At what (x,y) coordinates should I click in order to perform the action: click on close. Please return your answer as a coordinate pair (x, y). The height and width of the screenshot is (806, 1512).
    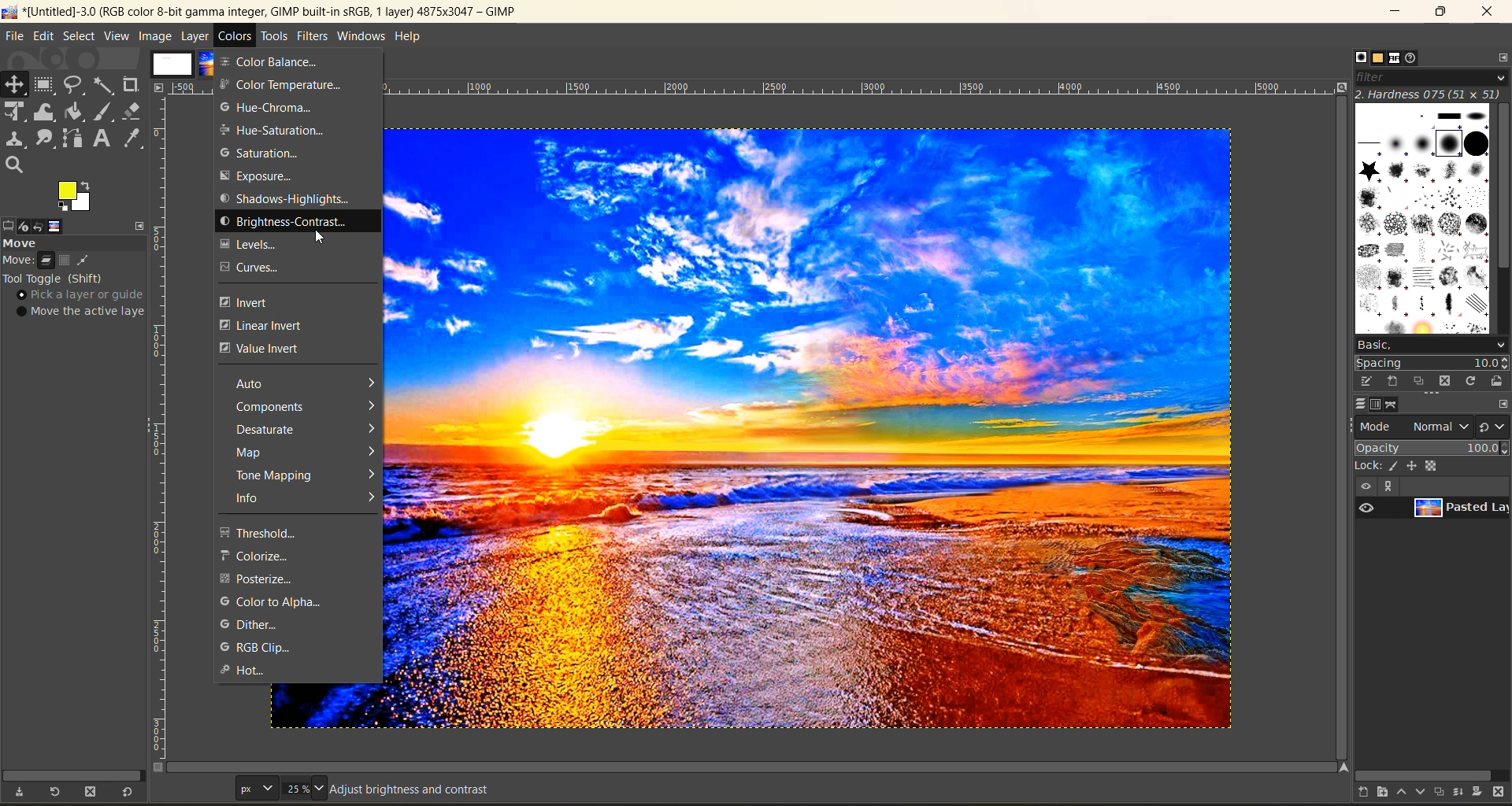
    Looking at the image, I should click on (1487, 13).